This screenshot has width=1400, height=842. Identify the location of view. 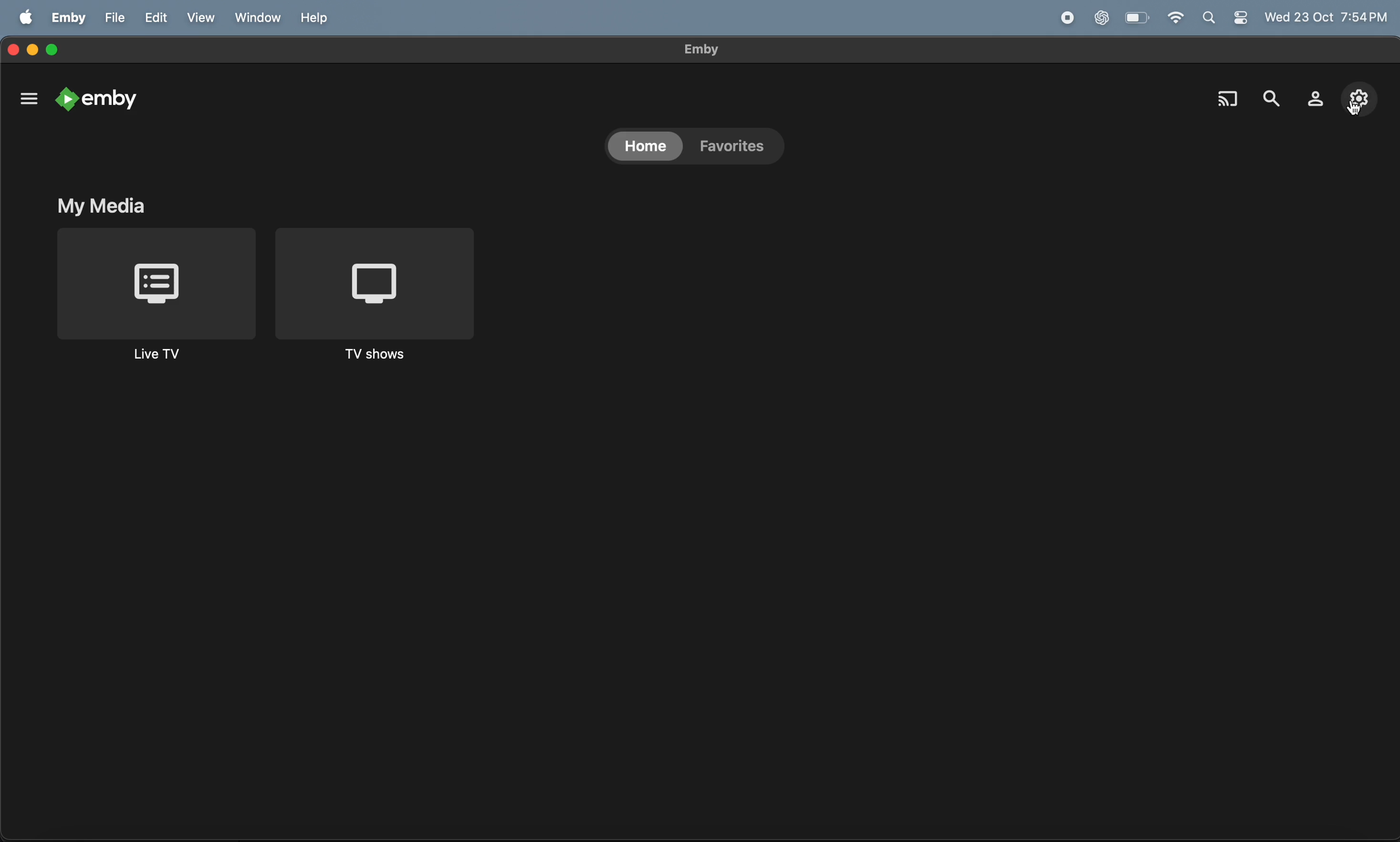
(205, 17).